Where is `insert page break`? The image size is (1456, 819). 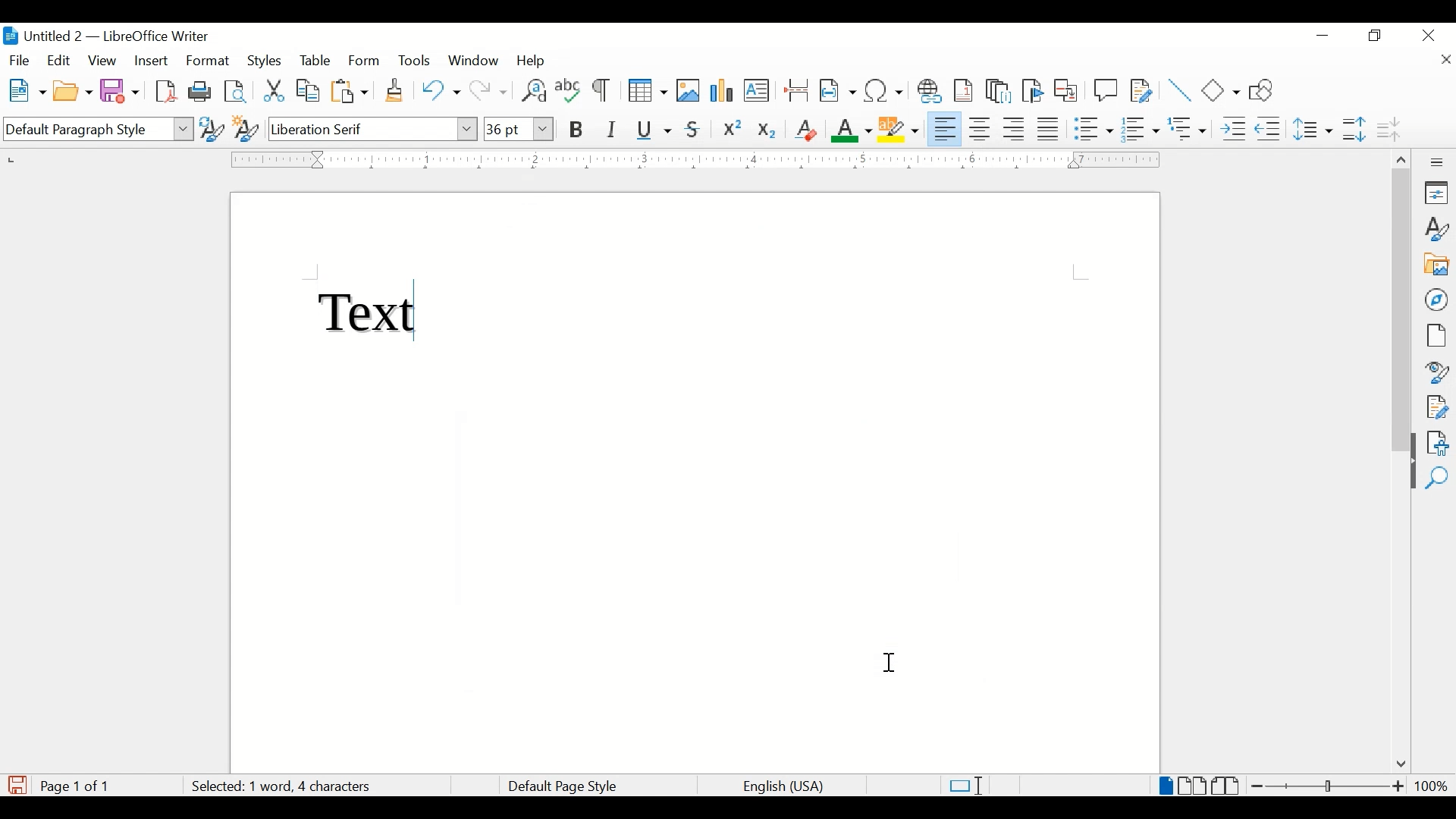 insert page break is located at coordinates (796, 89).